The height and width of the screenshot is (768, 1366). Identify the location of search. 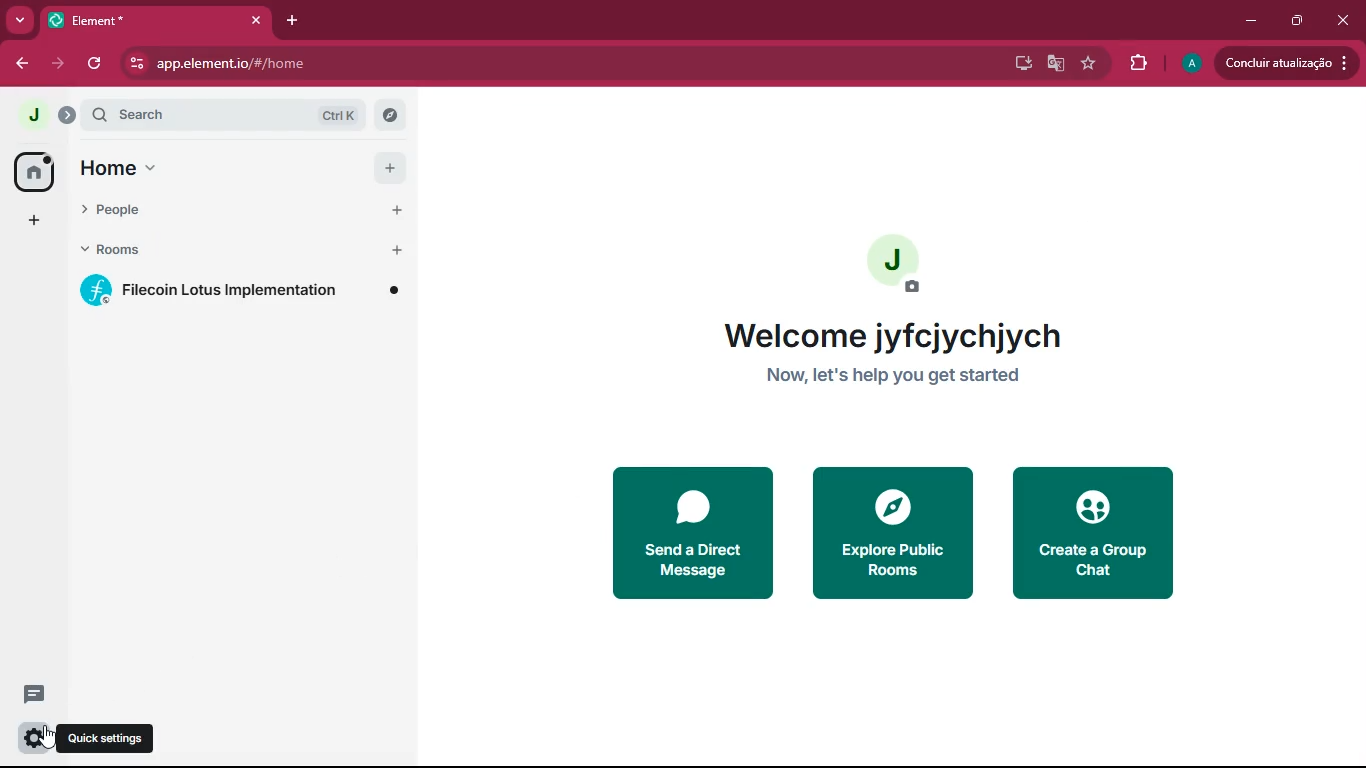
(214, 112).